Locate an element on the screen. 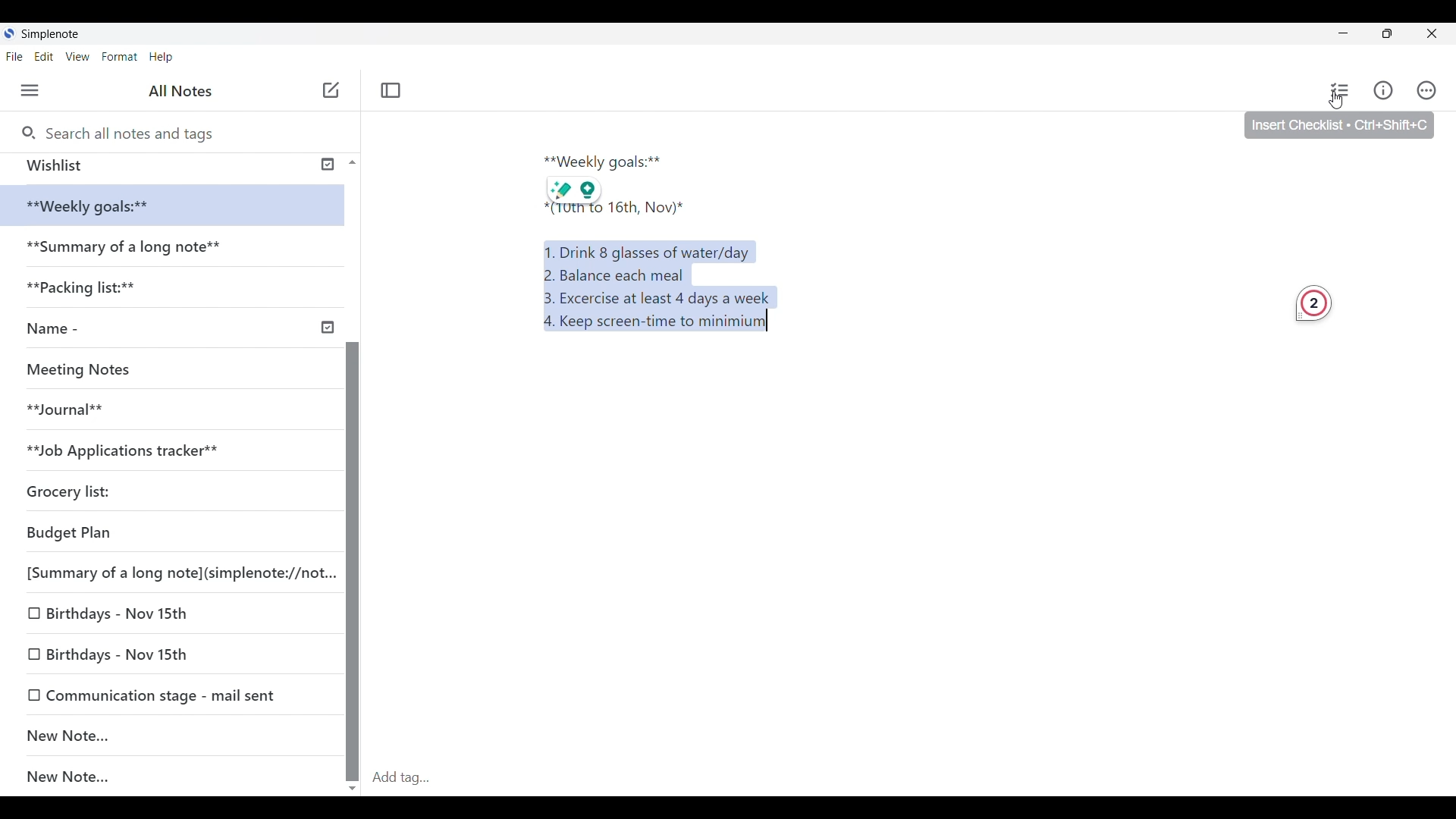 The width and height of the screenshot is (1456, 819). **Packaging list:** is located at coordinates (94, 292).